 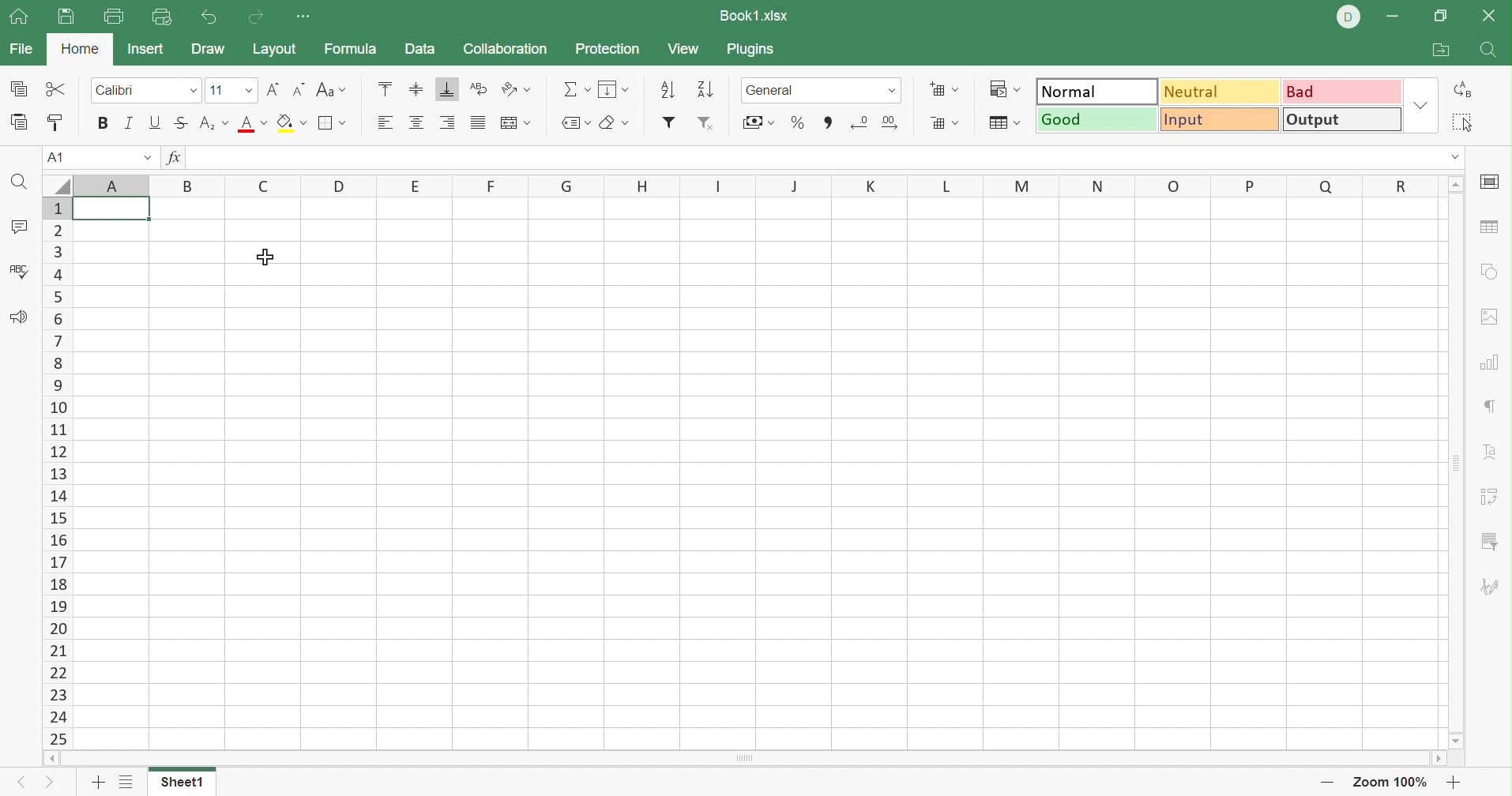 What do you see at coordinates (1492, 317) in the screenshot?
I see `Image settings` at bounding box center [1492, 317].